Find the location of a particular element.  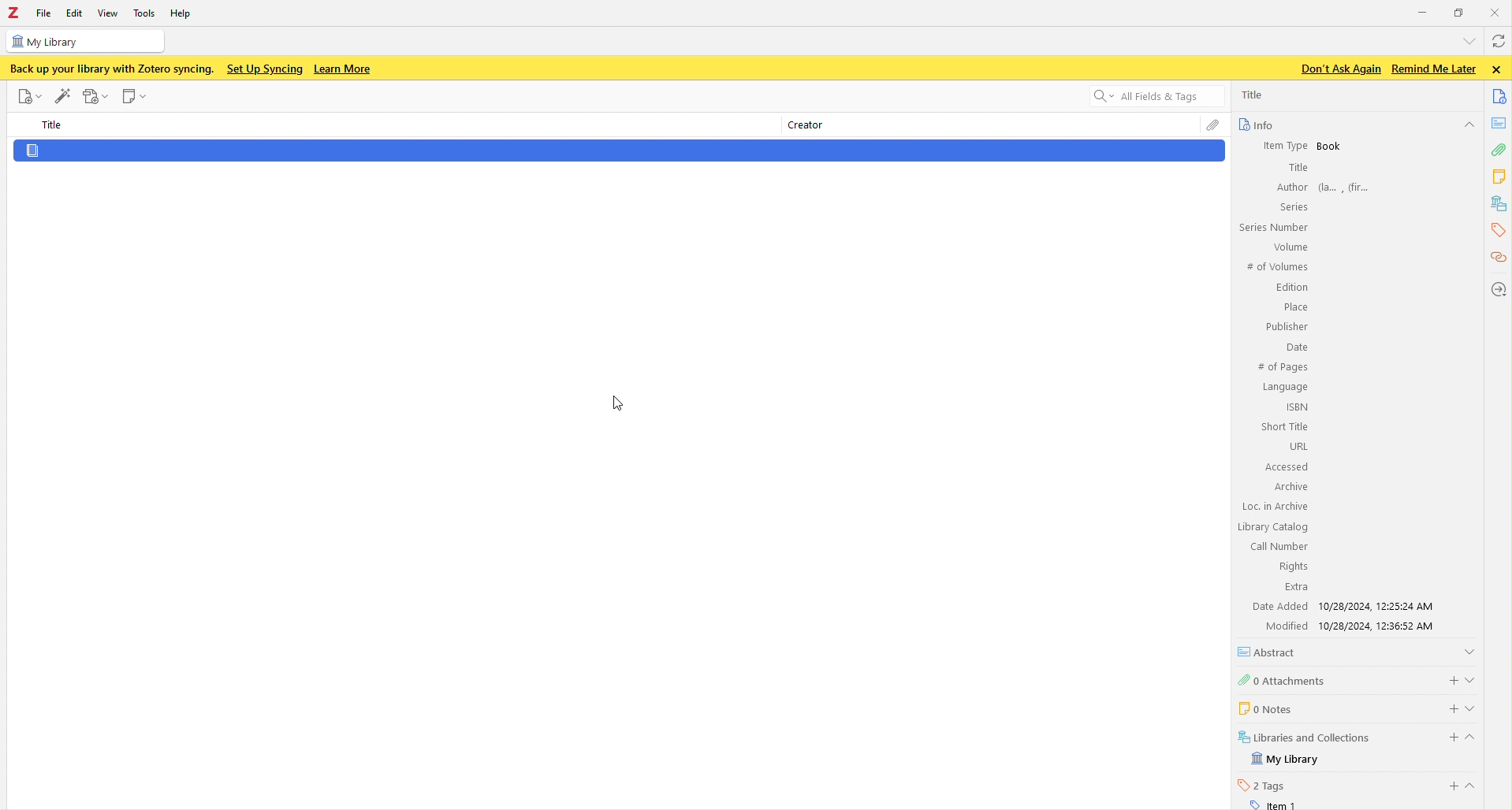

show is located at coordinates (1473, 678).